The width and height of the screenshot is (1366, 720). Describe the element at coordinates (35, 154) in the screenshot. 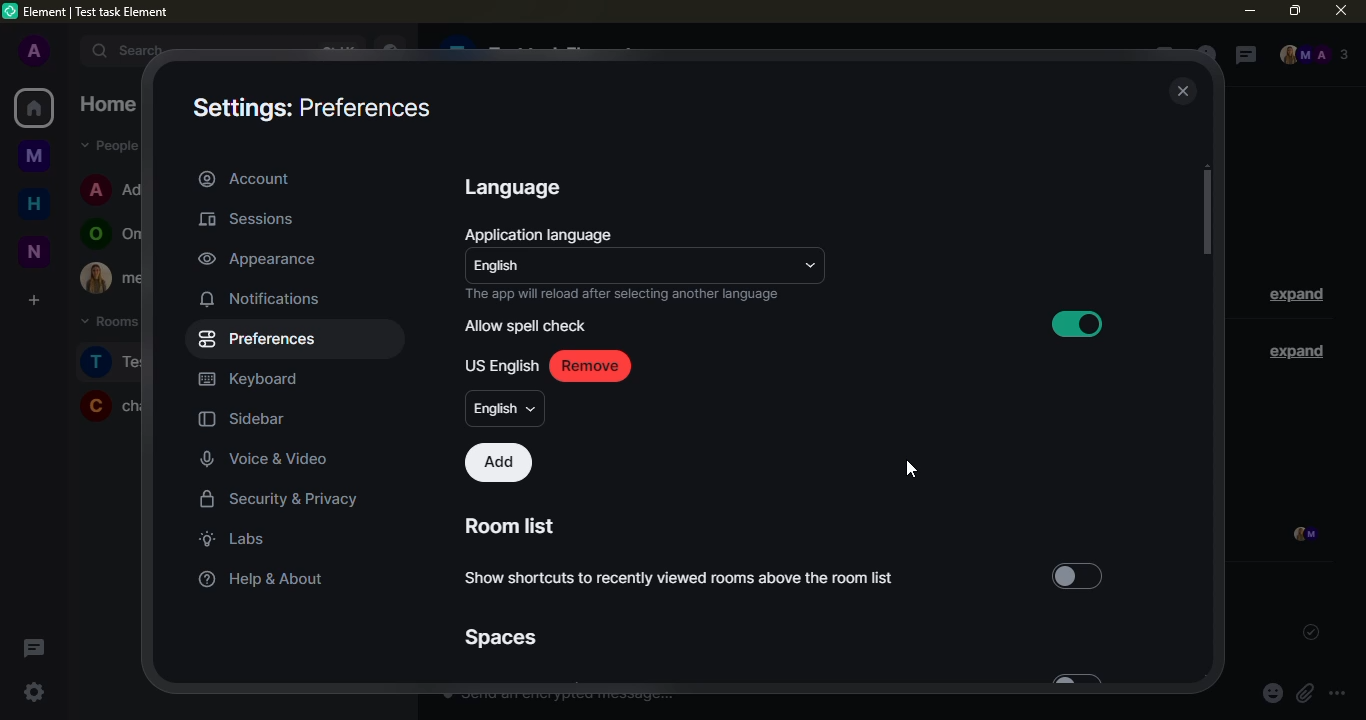

I see `myspace` at that location.